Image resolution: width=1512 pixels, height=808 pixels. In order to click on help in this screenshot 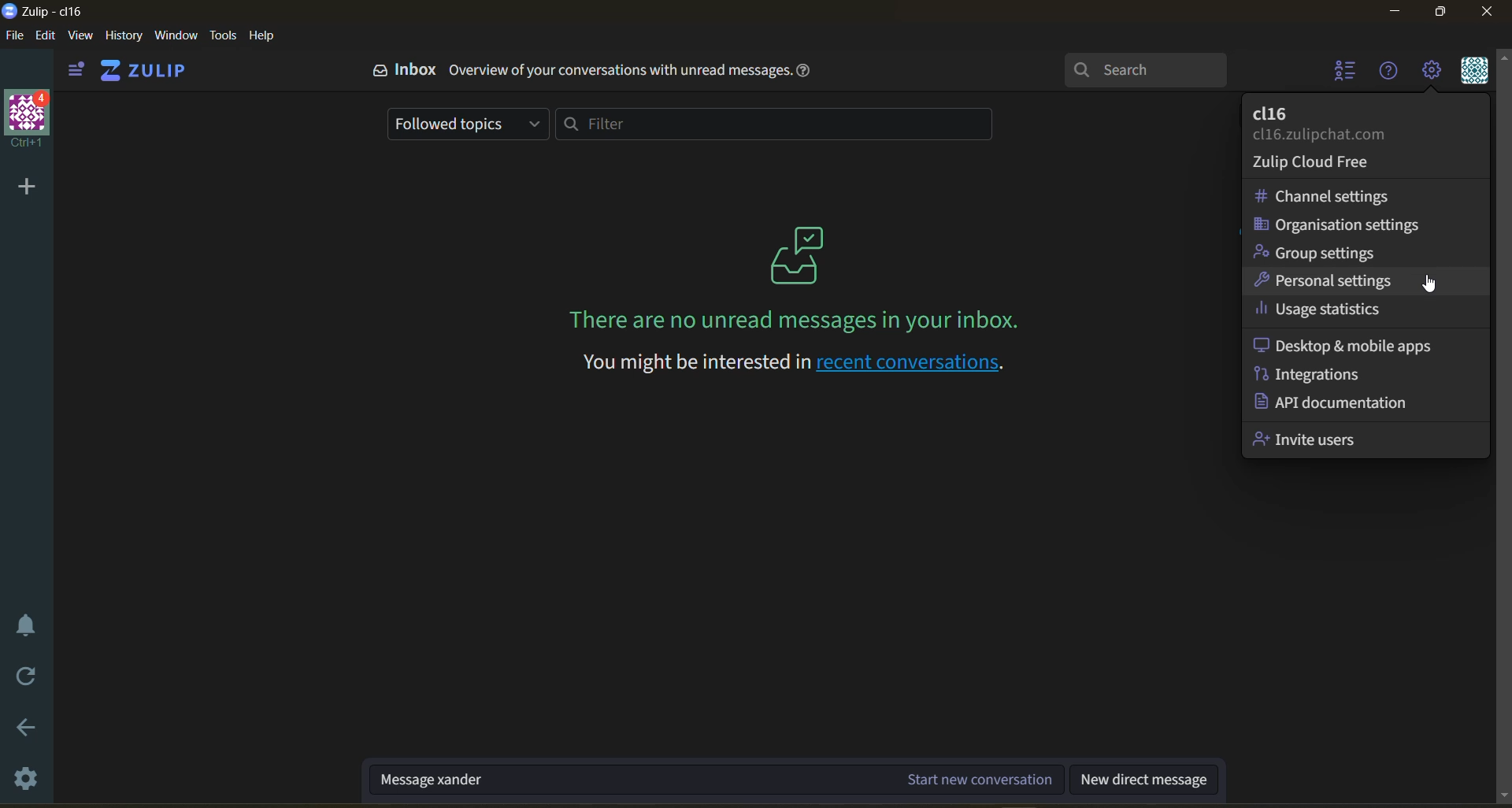, I will do `click(265, 38)`.